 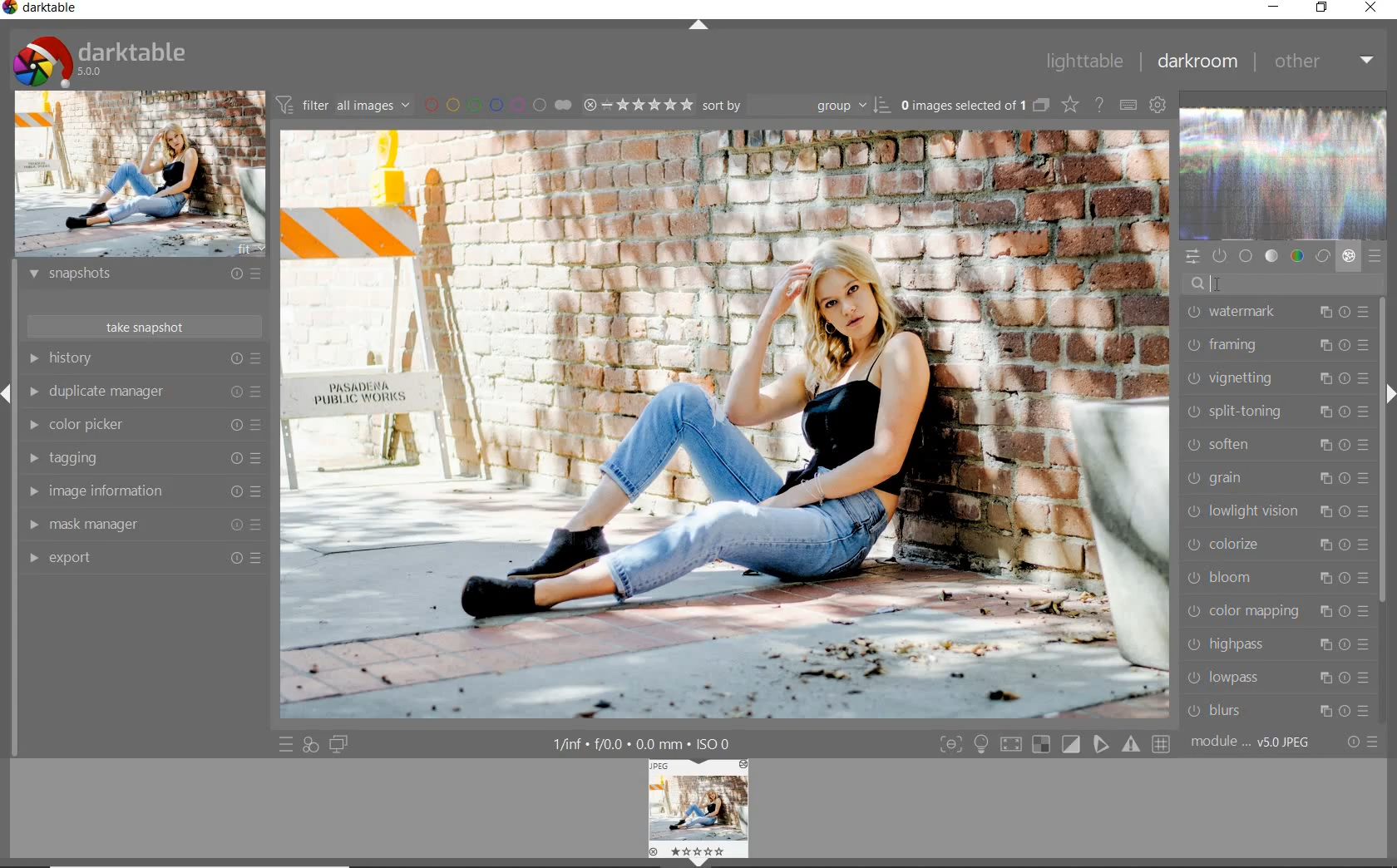 I want to click on quick access for applying any of your styles, so click(x=311, y=745).